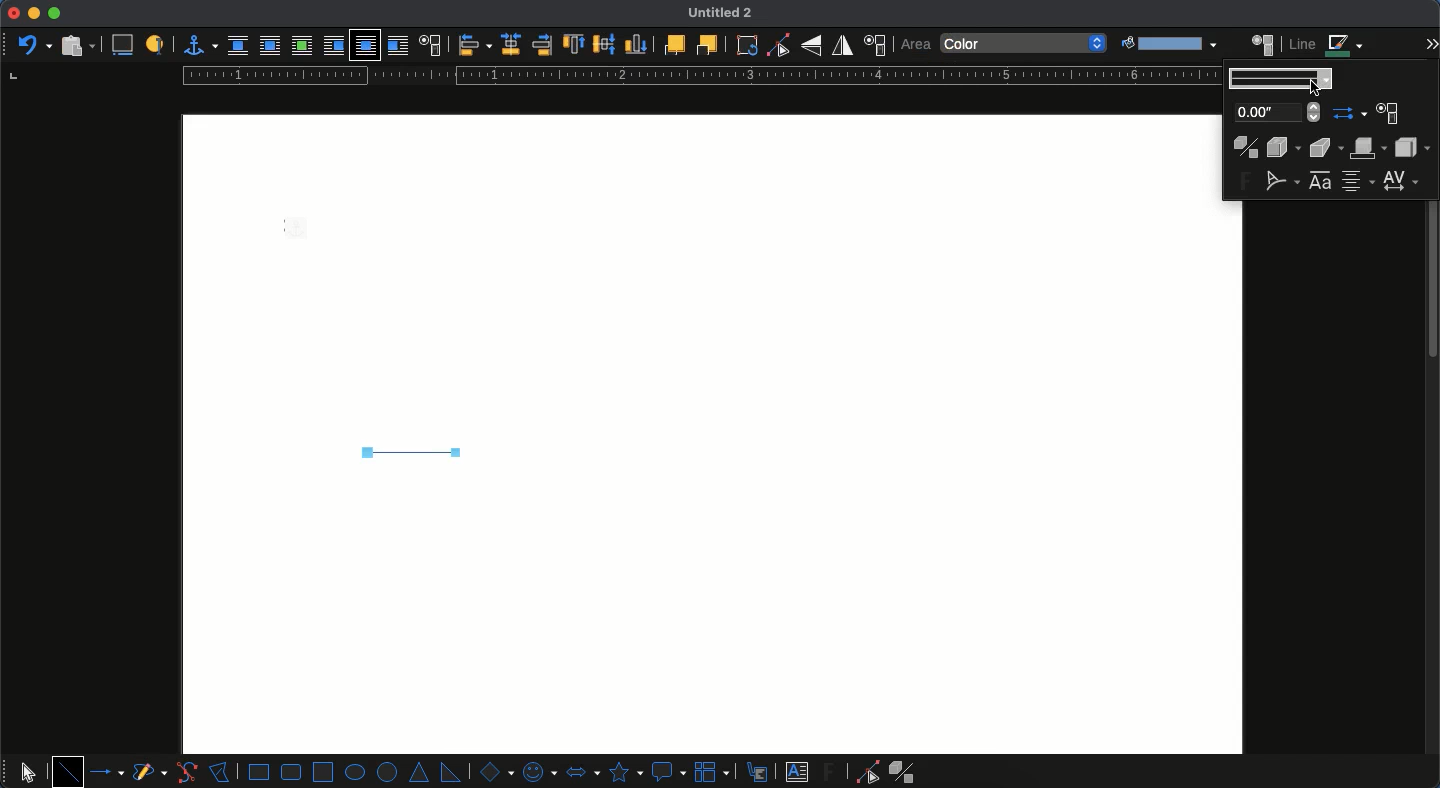  Describe the element at coordinates (705, 44) in the screenshot. I see `back one` at that location.